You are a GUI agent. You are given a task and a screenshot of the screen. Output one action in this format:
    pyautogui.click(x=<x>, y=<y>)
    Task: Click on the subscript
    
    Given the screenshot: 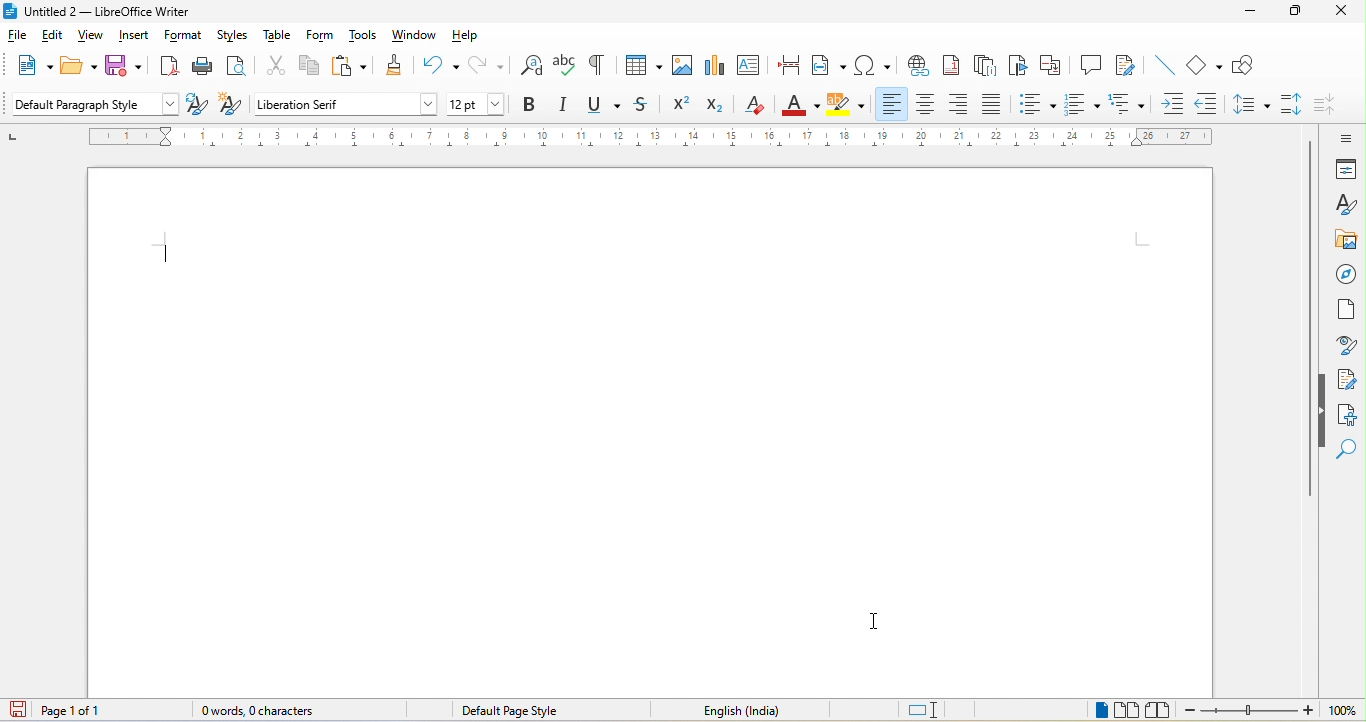 What is the action you would take?
    pyautogui.click(x=719, y=108)
    